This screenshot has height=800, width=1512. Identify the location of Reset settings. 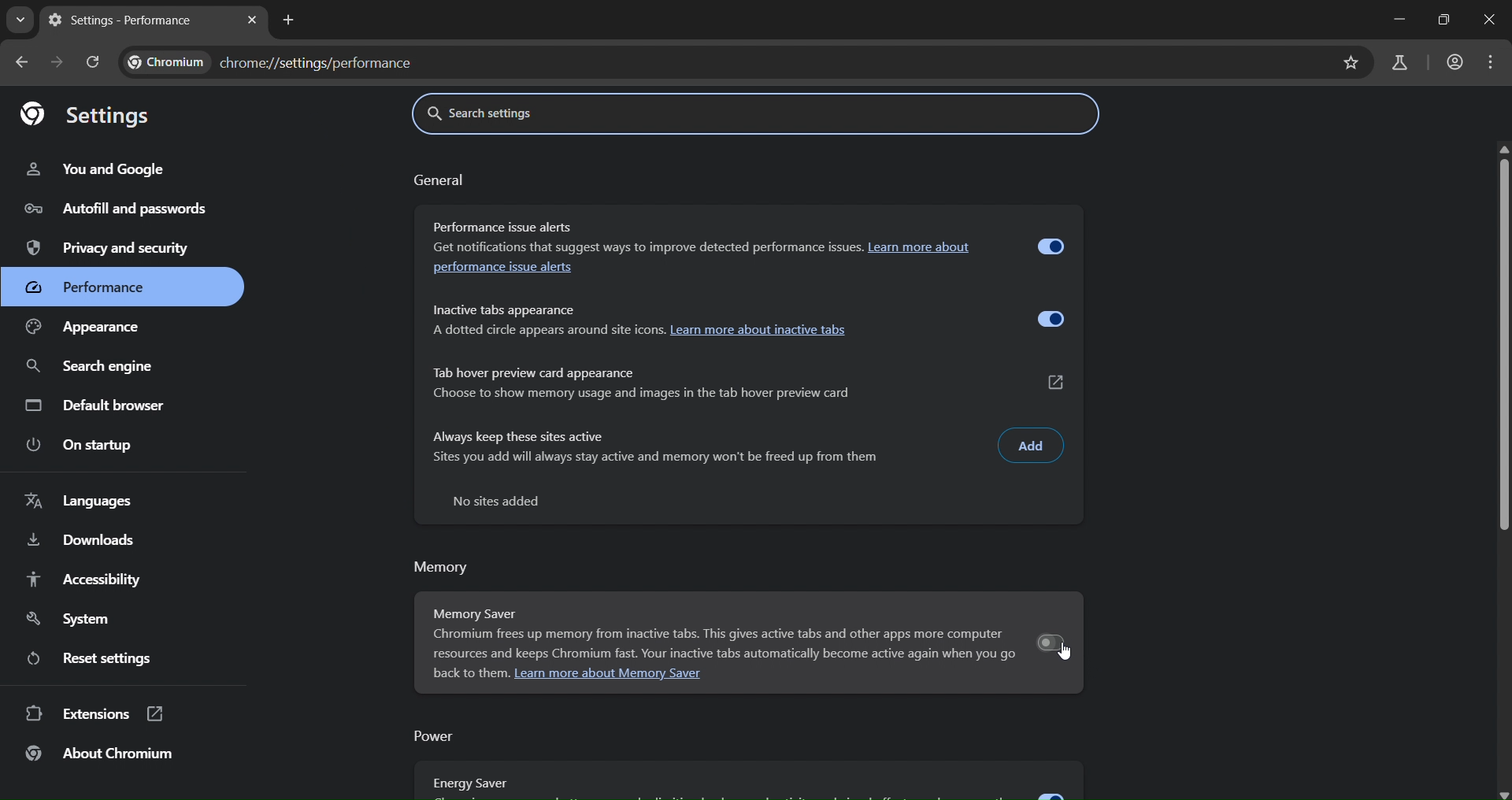
(94, 657).